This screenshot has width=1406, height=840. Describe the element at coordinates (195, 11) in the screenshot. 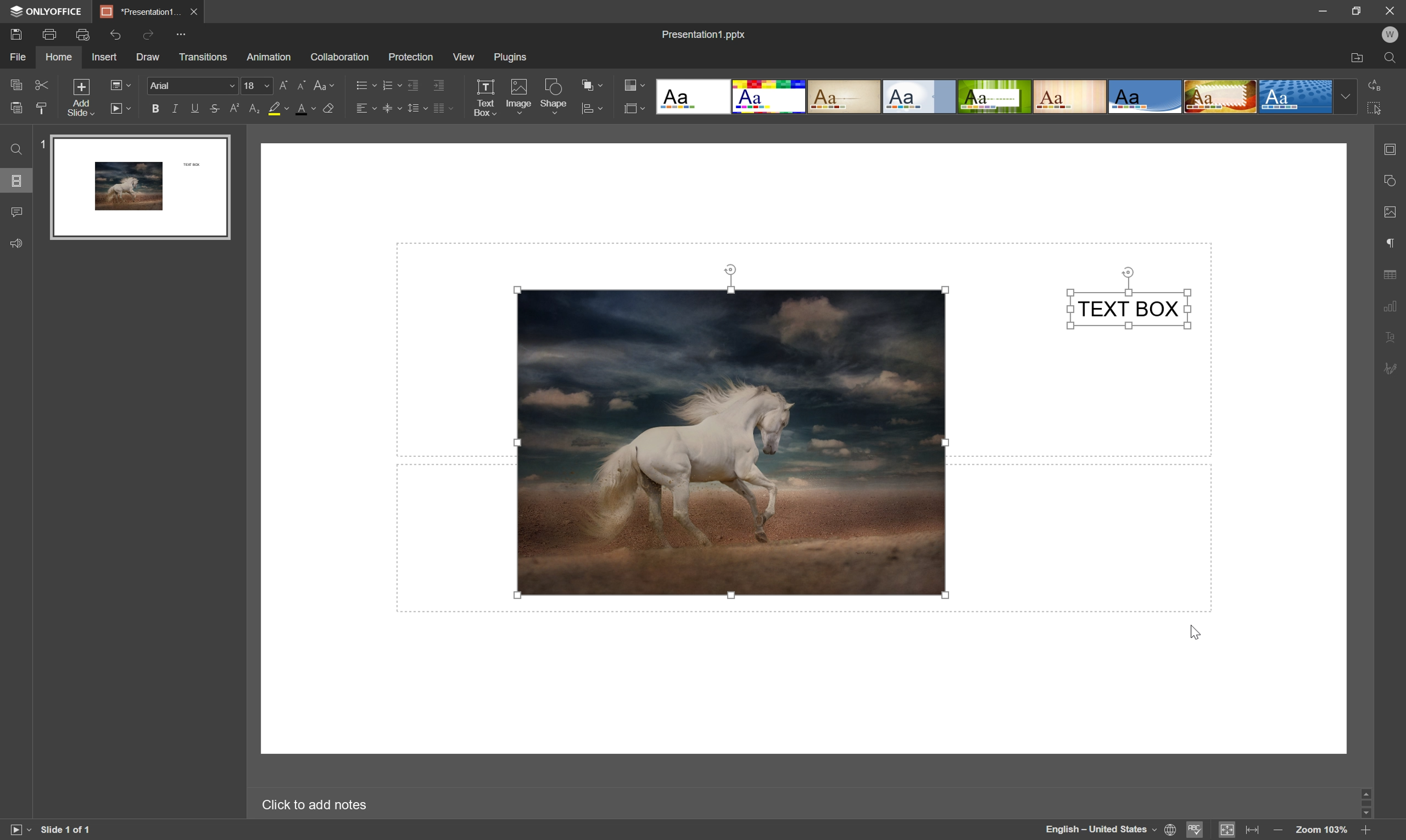

I see `close` at that location.